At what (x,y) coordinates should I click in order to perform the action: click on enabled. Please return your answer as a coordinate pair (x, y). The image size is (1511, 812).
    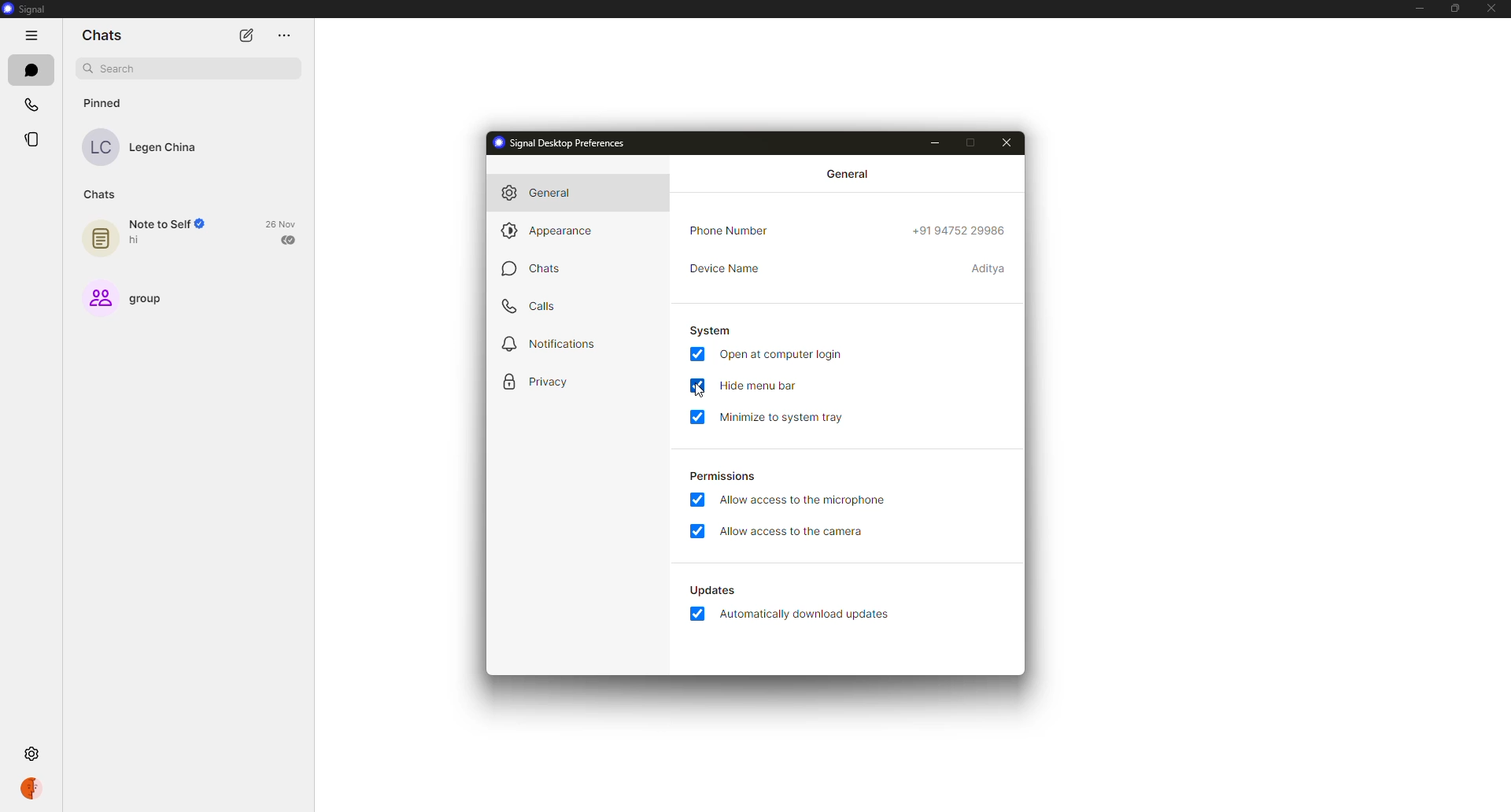
    Looking at the image, I should click on (697, 530).